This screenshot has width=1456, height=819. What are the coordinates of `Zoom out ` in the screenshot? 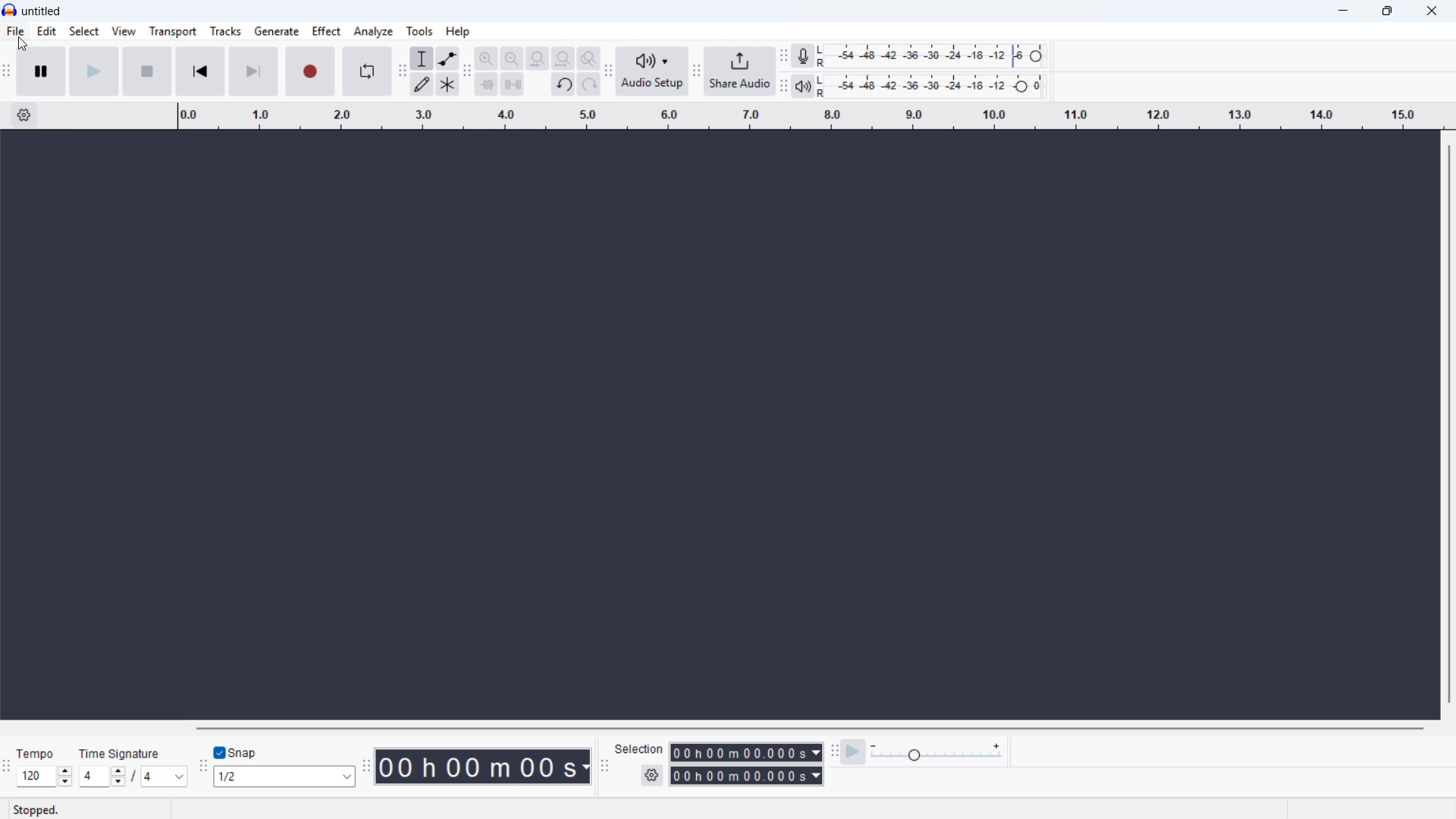 It's located at (512, 58).